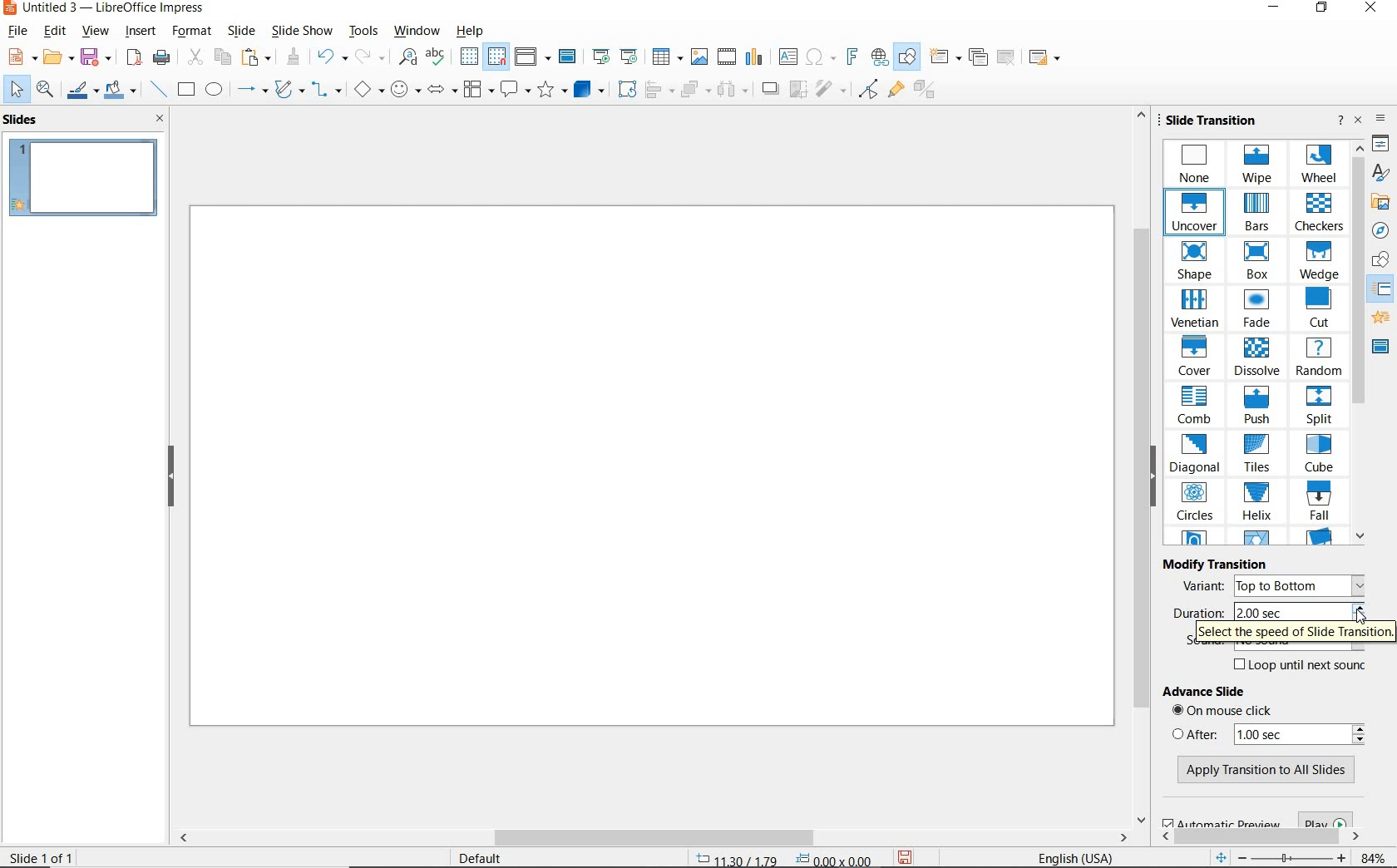  What do you see at coordinates (404, 91) in the screenshot?
I see `SYMBOL SHAPES` at bounding box center [404, 91].